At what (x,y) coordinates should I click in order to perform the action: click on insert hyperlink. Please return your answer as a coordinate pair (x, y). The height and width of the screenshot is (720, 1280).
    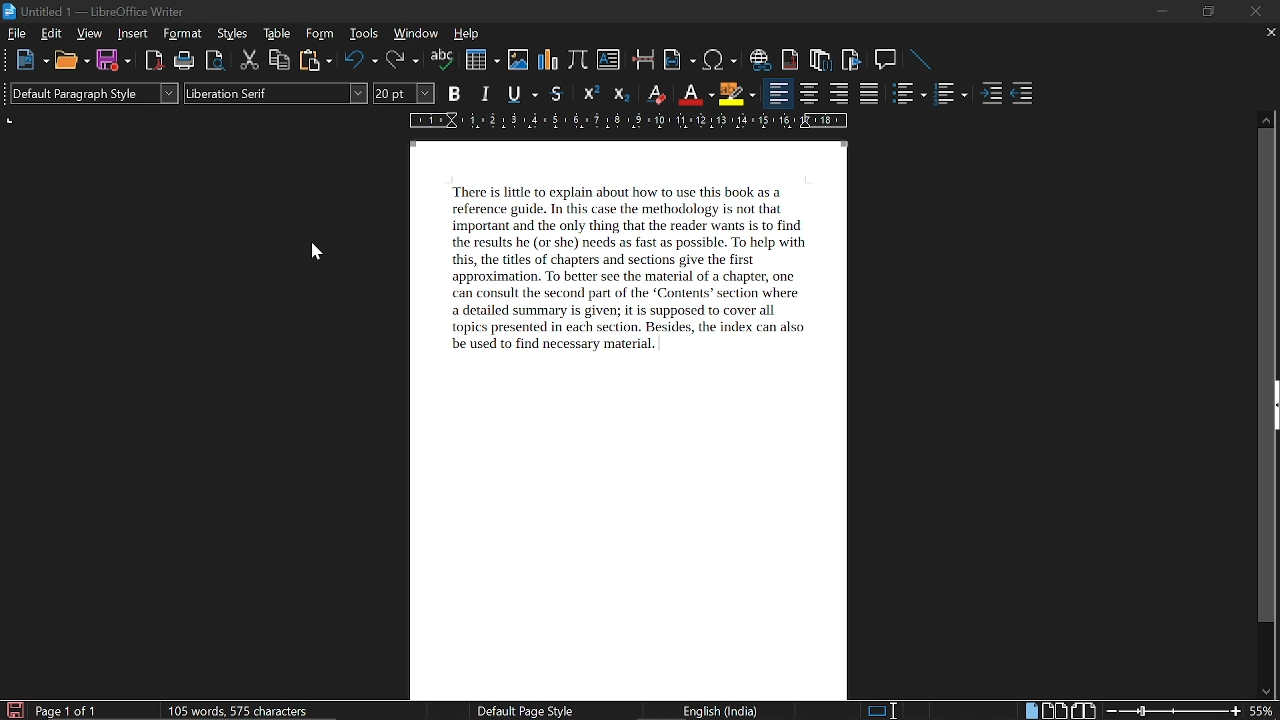
    Looking at the image, I should click on (761, 60).